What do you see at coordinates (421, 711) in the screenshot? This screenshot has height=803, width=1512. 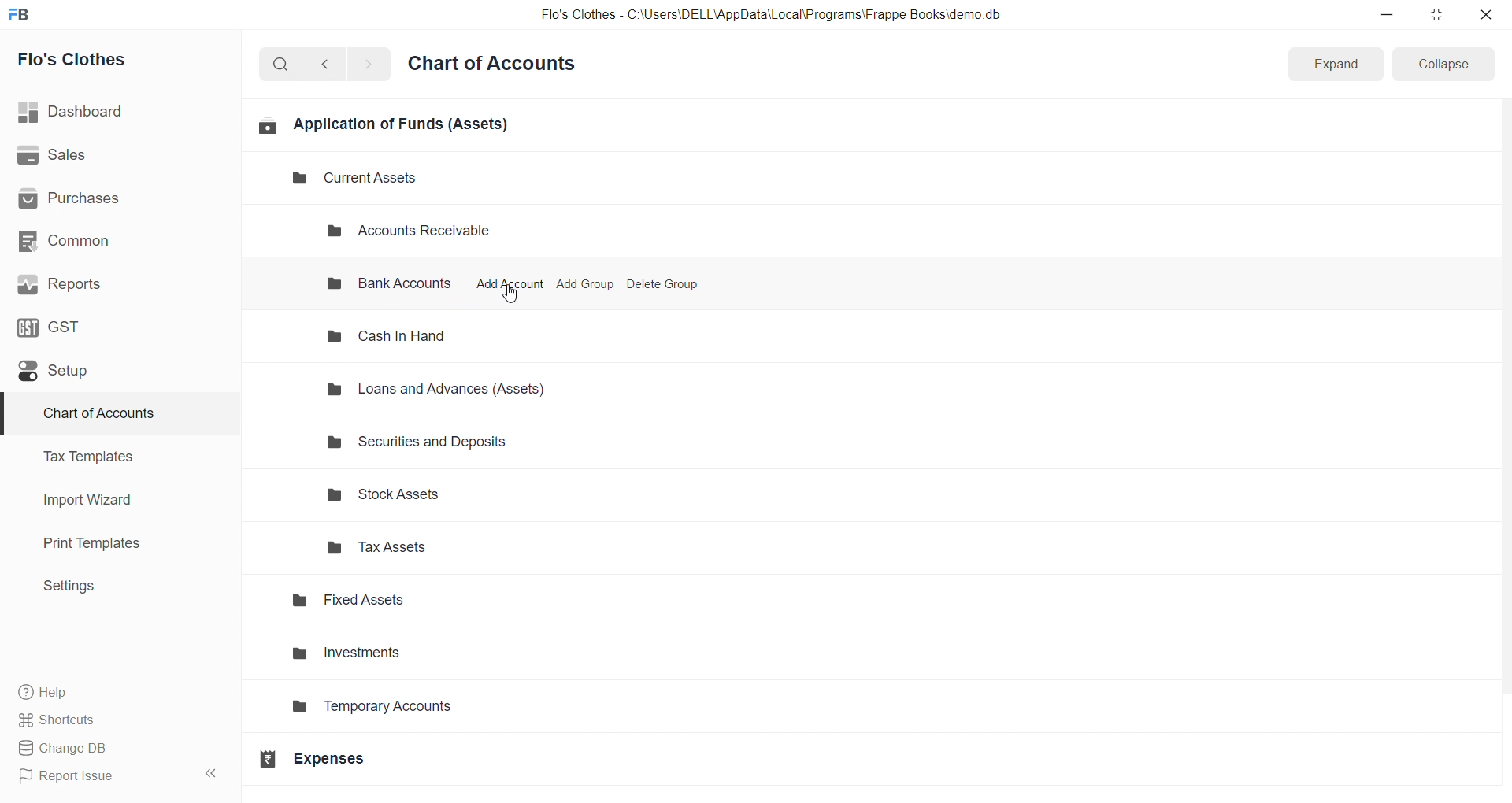 I see `Temporary Accounts` at bounding box center [421, 711].